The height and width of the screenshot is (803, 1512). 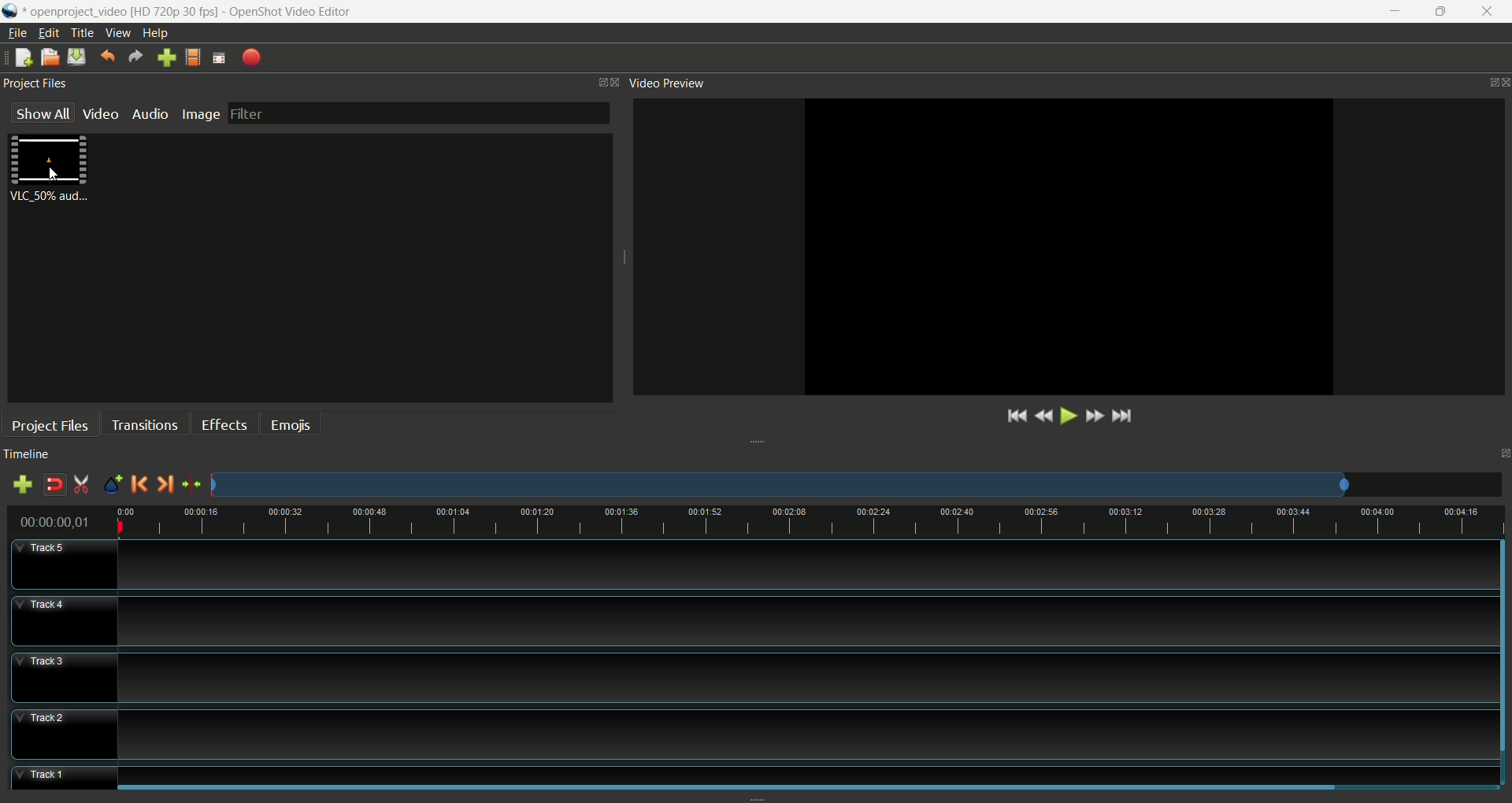 What do you see at coordinates (681, 84) in the screenshot?
I see `video preview` at bounding box center [681, 84].